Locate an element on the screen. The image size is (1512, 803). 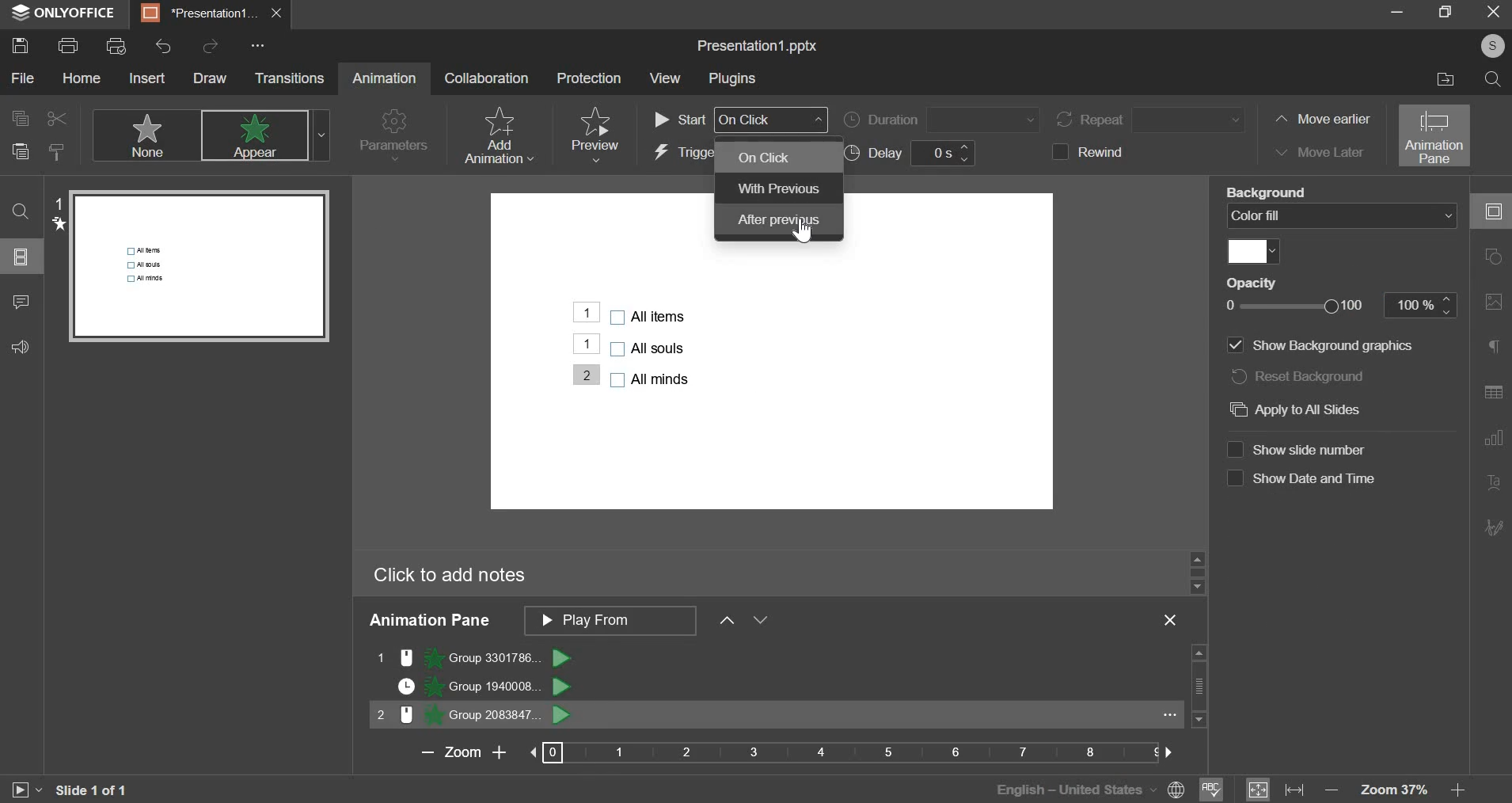
none is located at coordinates (145, 135).